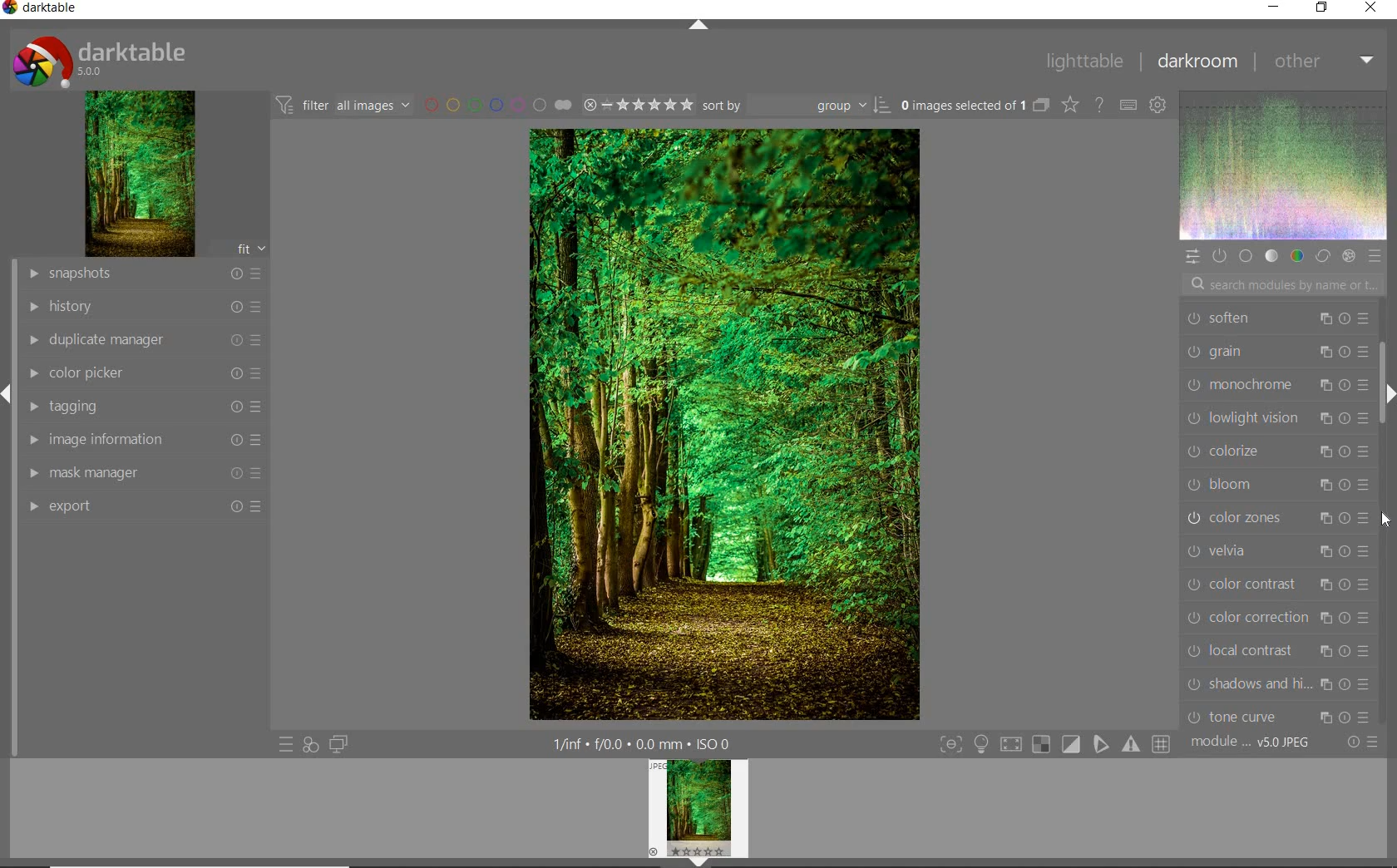 The height and width of the screenshot is (868, 1397). I want to click on EFFECT, so click(1348, 255).